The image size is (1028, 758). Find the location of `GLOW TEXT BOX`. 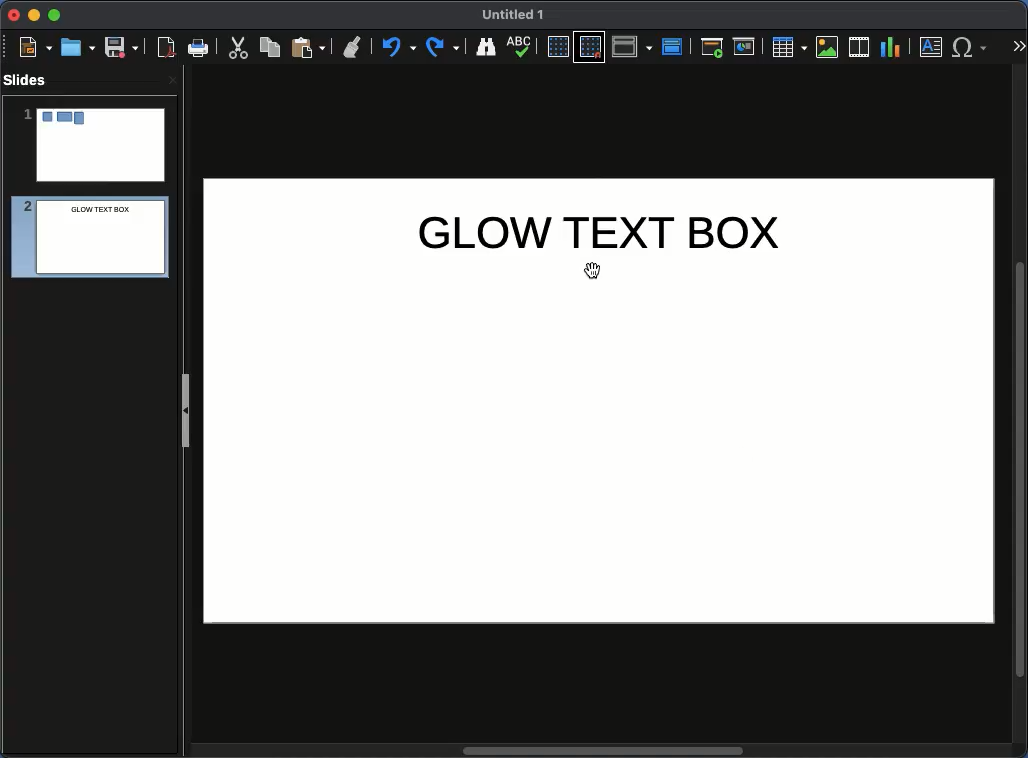

GLOW TEXT BOX is located at coordinates (599, 234).